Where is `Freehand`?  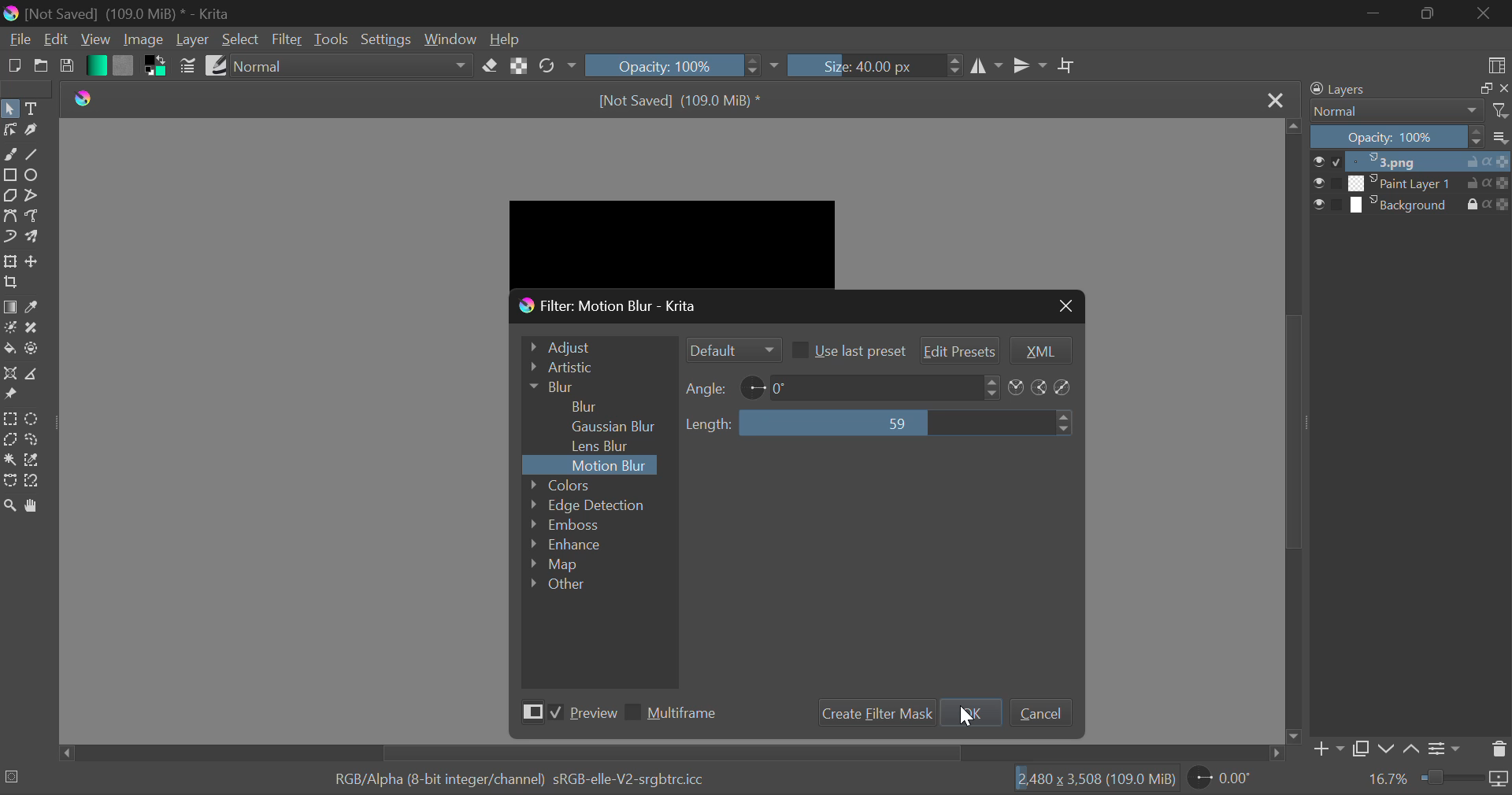
Freehand is located at coordinates (10, 154).